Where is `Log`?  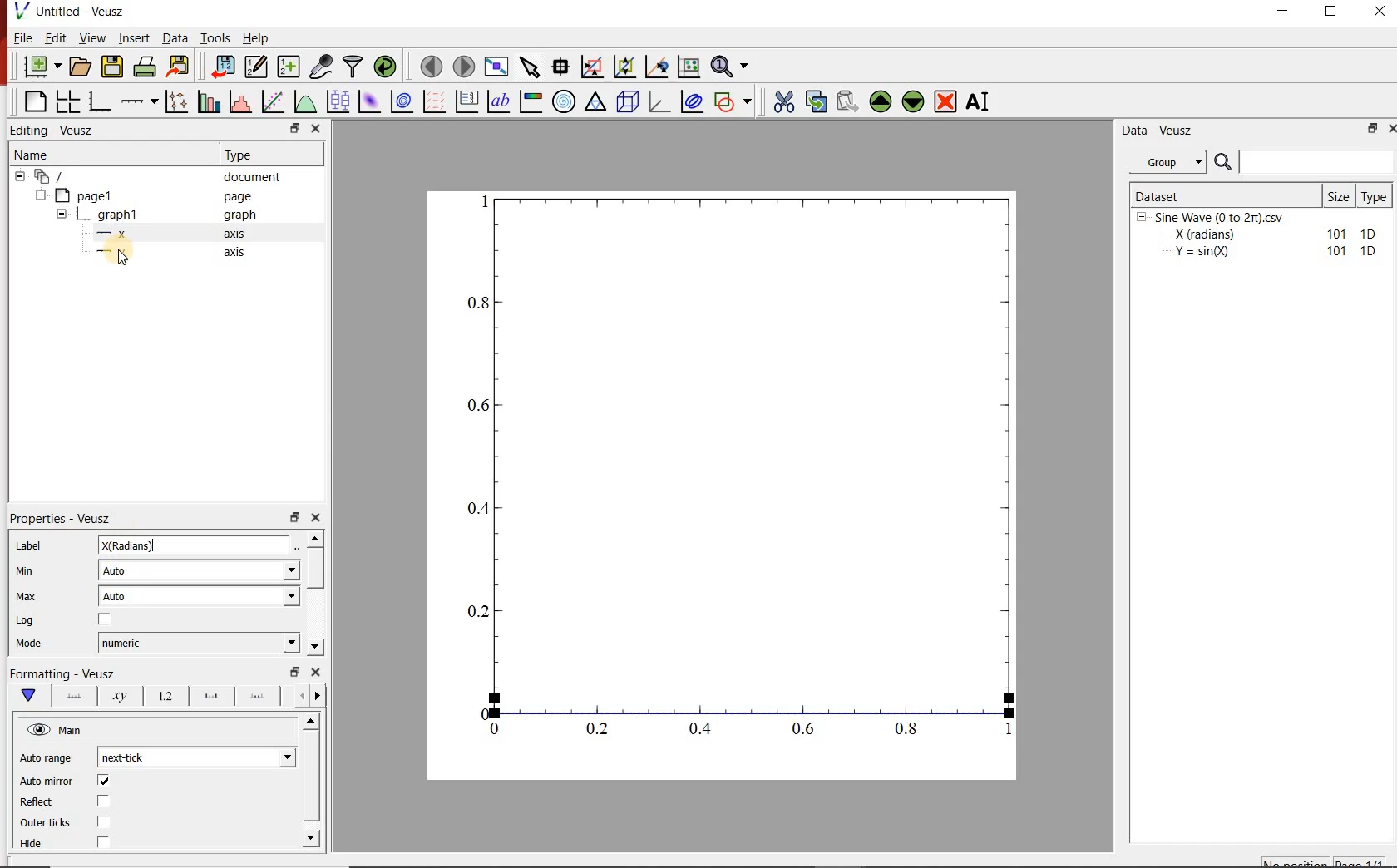 Log is located at coordinates (25, 620).